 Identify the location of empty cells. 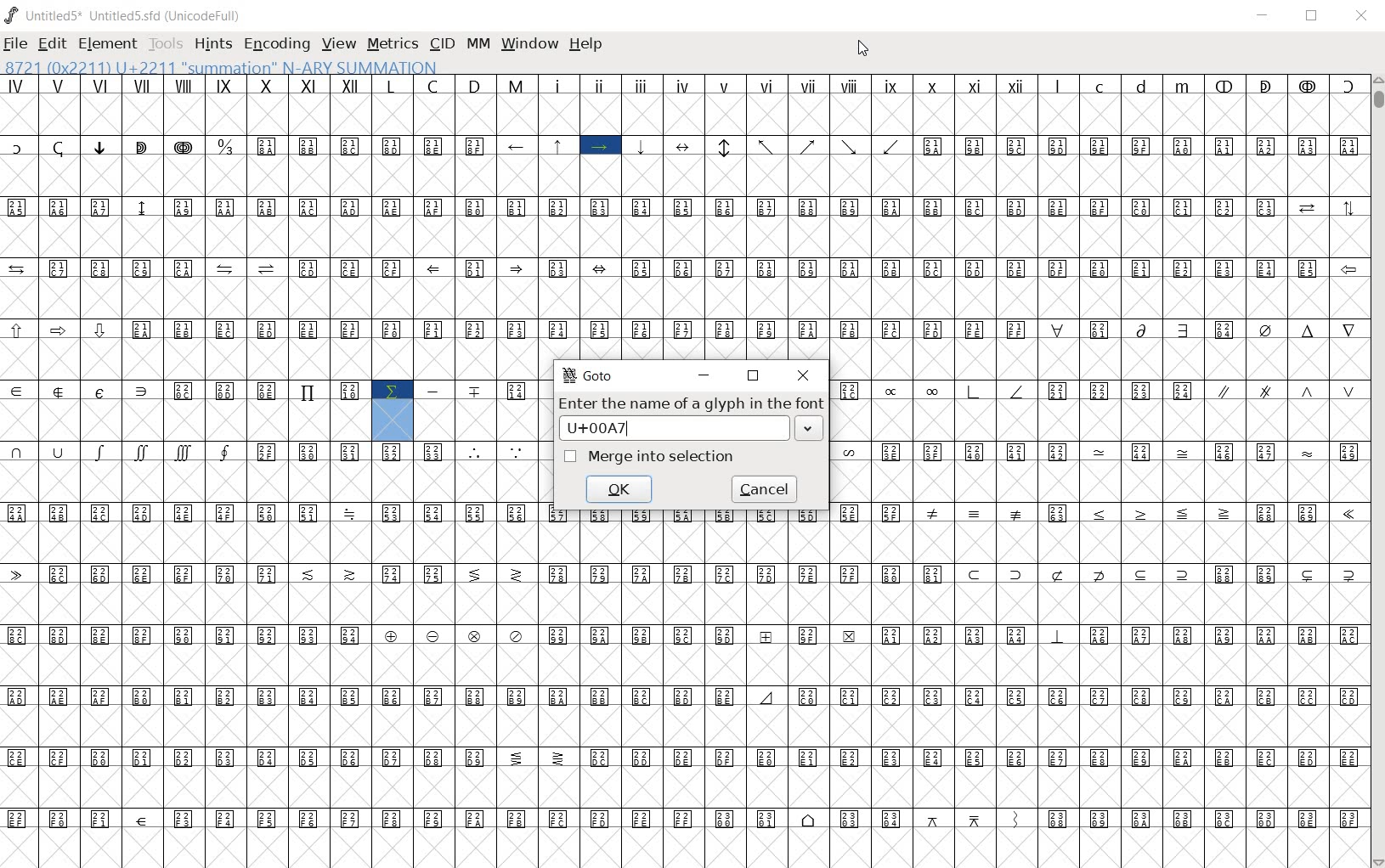
(686, 724).